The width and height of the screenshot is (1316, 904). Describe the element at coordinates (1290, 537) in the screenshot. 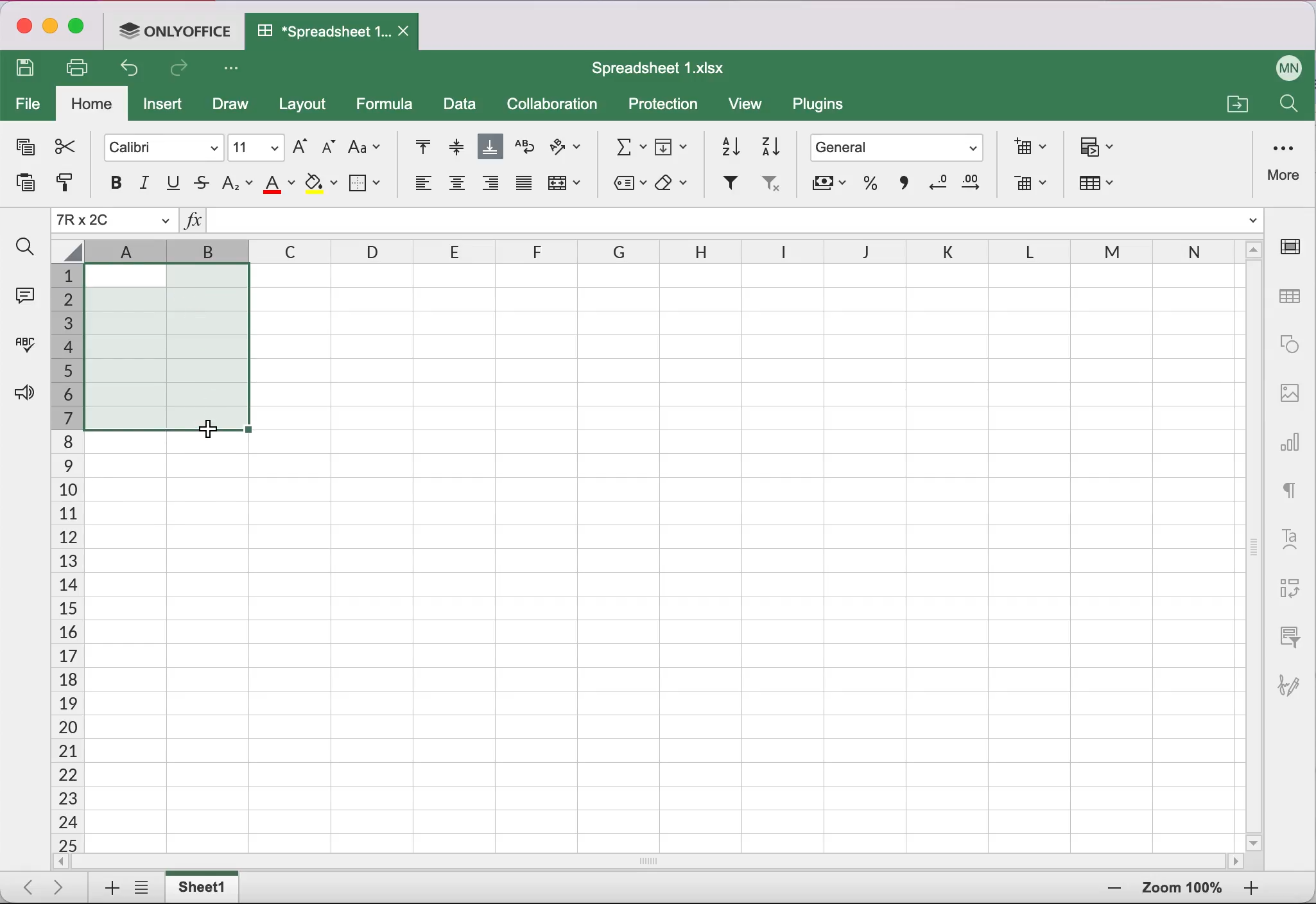

I see `text art` at that location.